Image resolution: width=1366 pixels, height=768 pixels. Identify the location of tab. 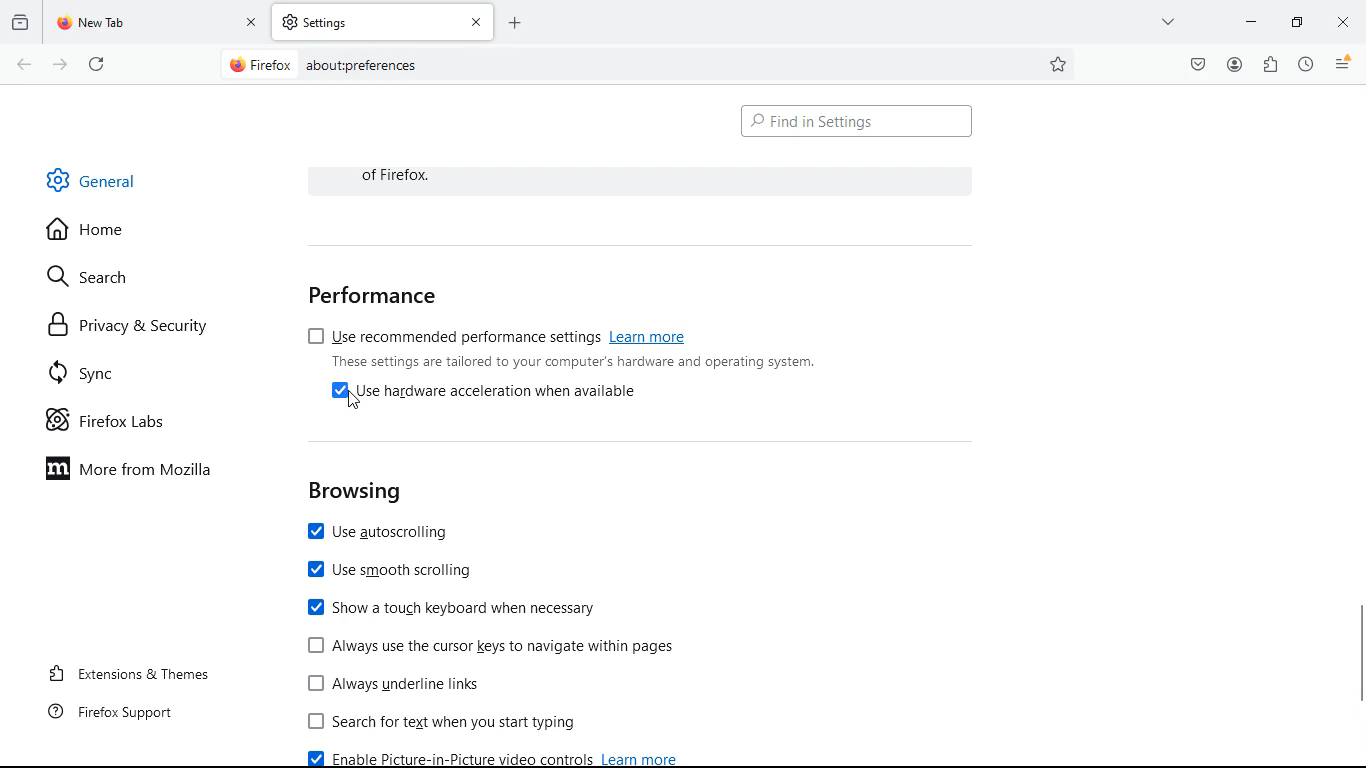
(384, 22).